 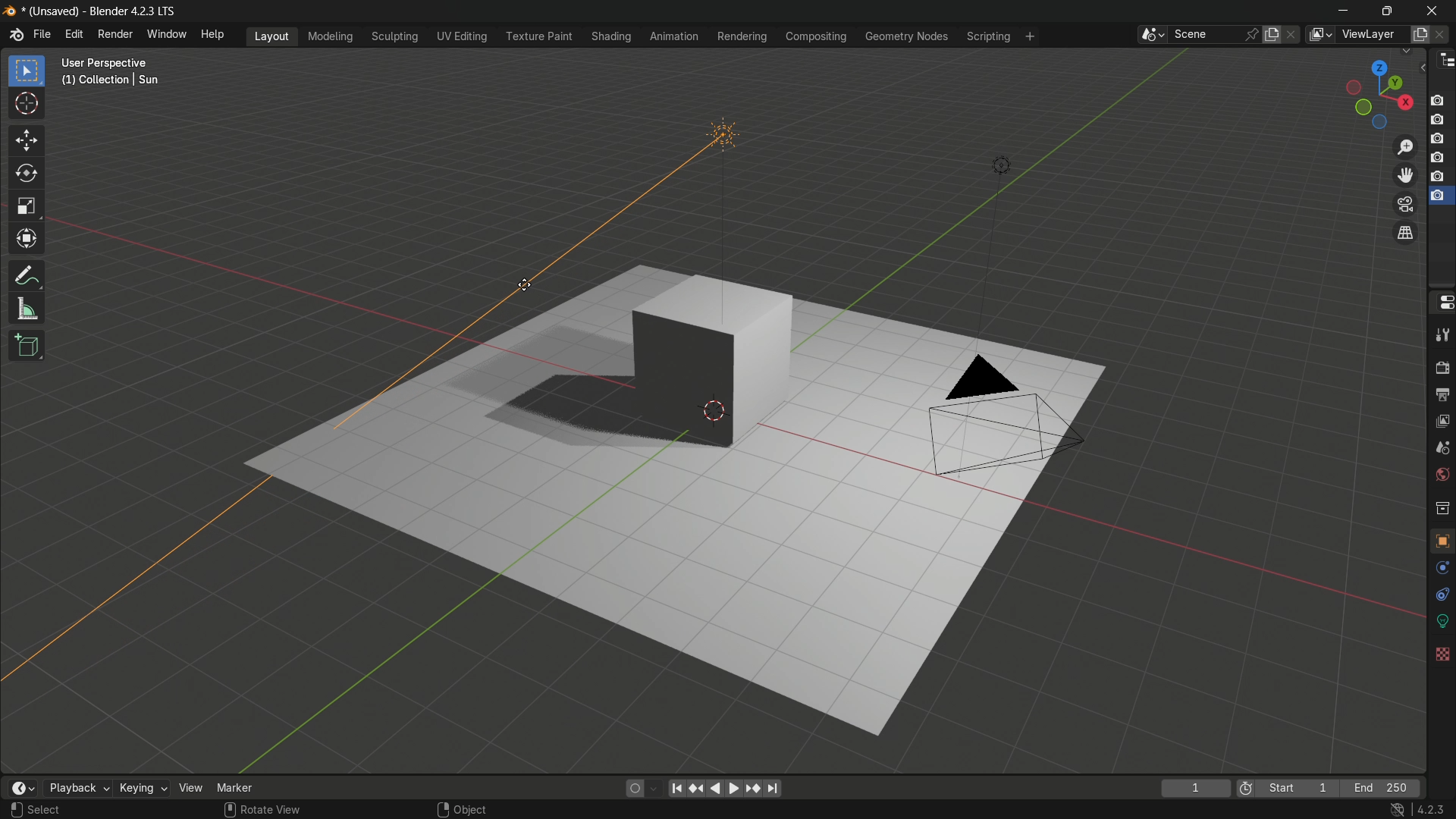 What do you see at coordinates (1294, 34) in the screenshot?
I see `delete scene` at bounding box center [1294, 34].